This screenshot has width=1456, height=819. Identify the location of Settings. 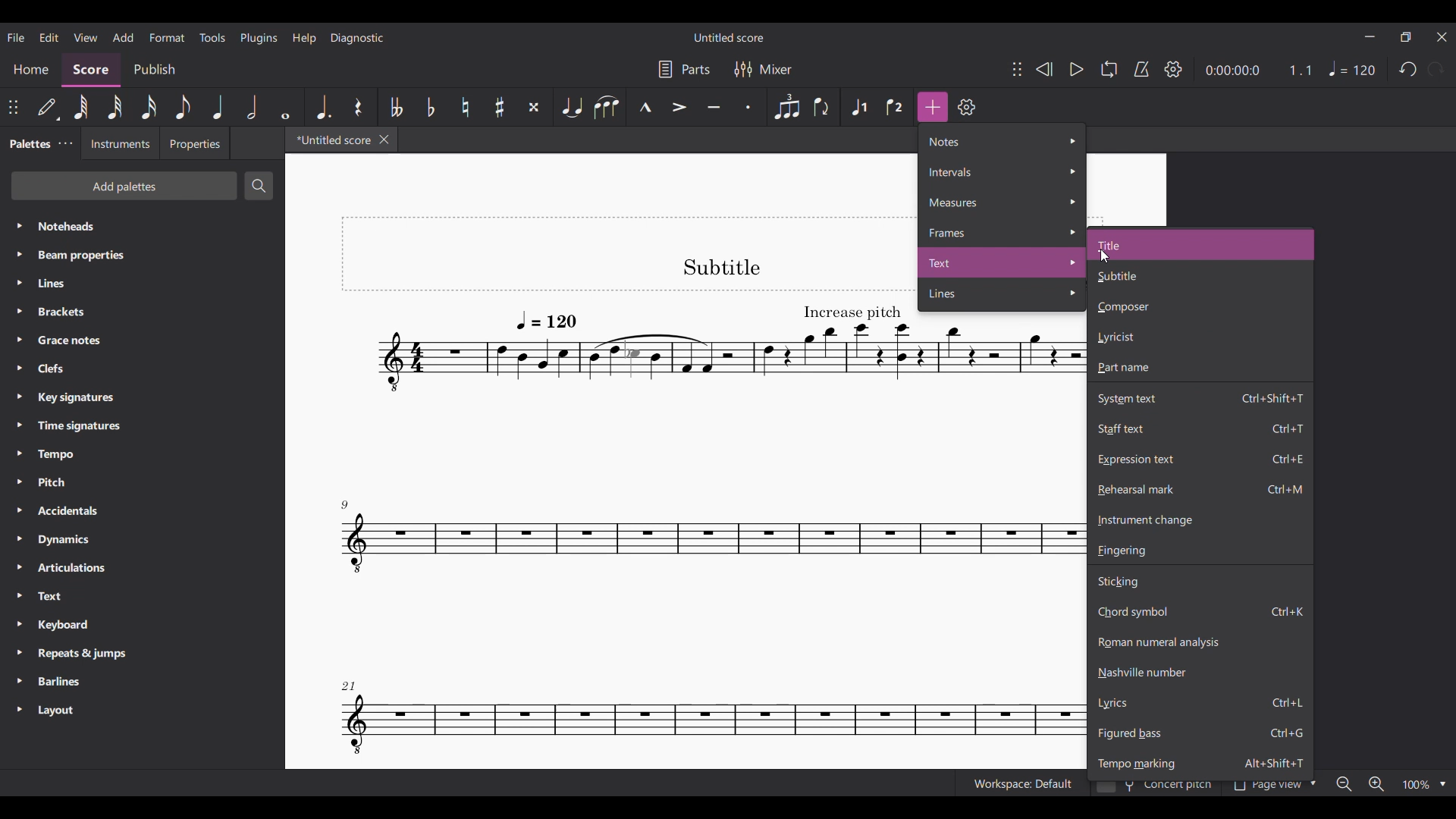
(967, 107).